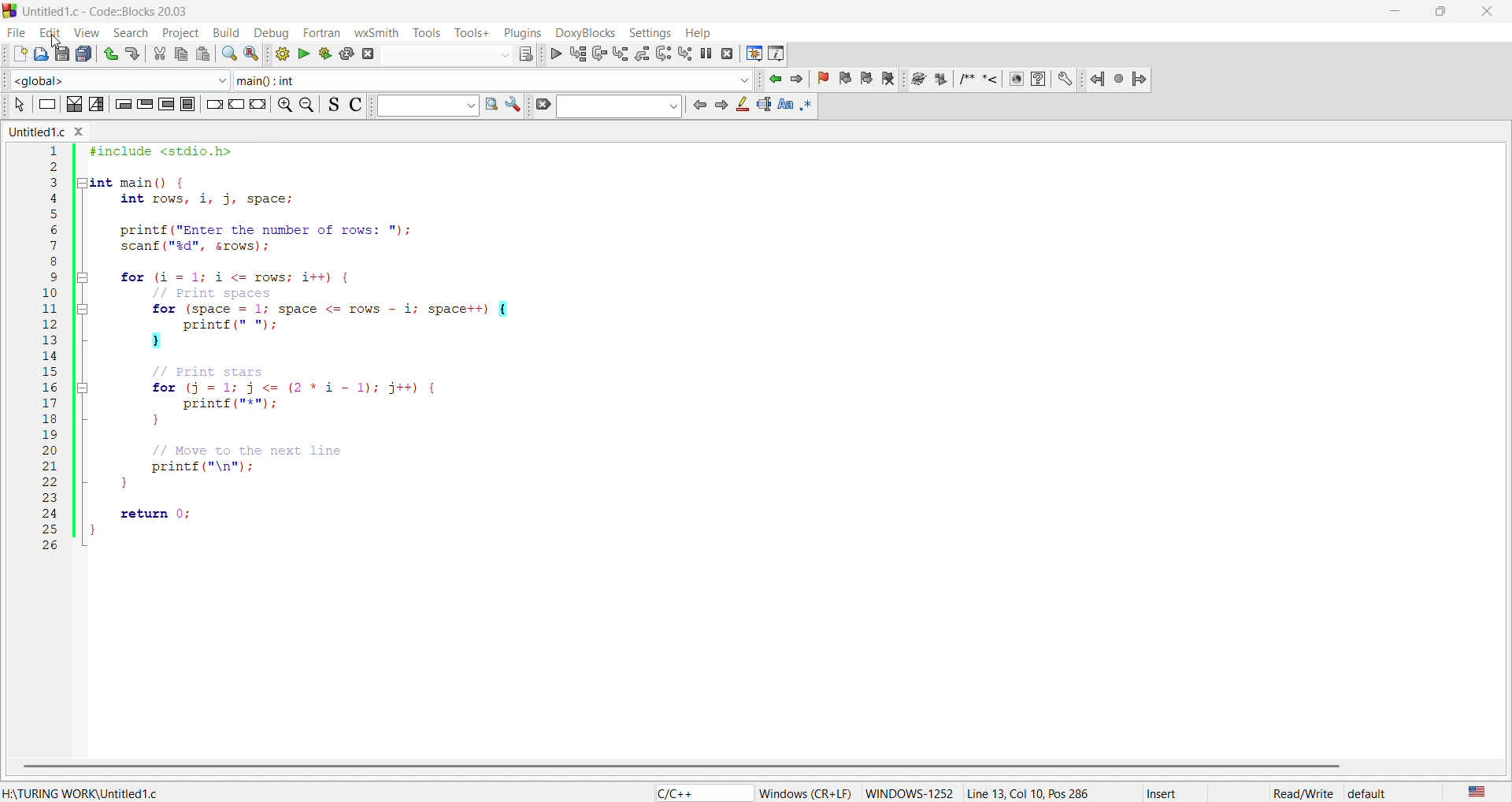 Image resolution: width=1512 pixels, height=802 pixels. What do you see at coordinates (806, 793) in the screenshot?
I see `Windows (CR+LF)` at bounding box center [806, 793].